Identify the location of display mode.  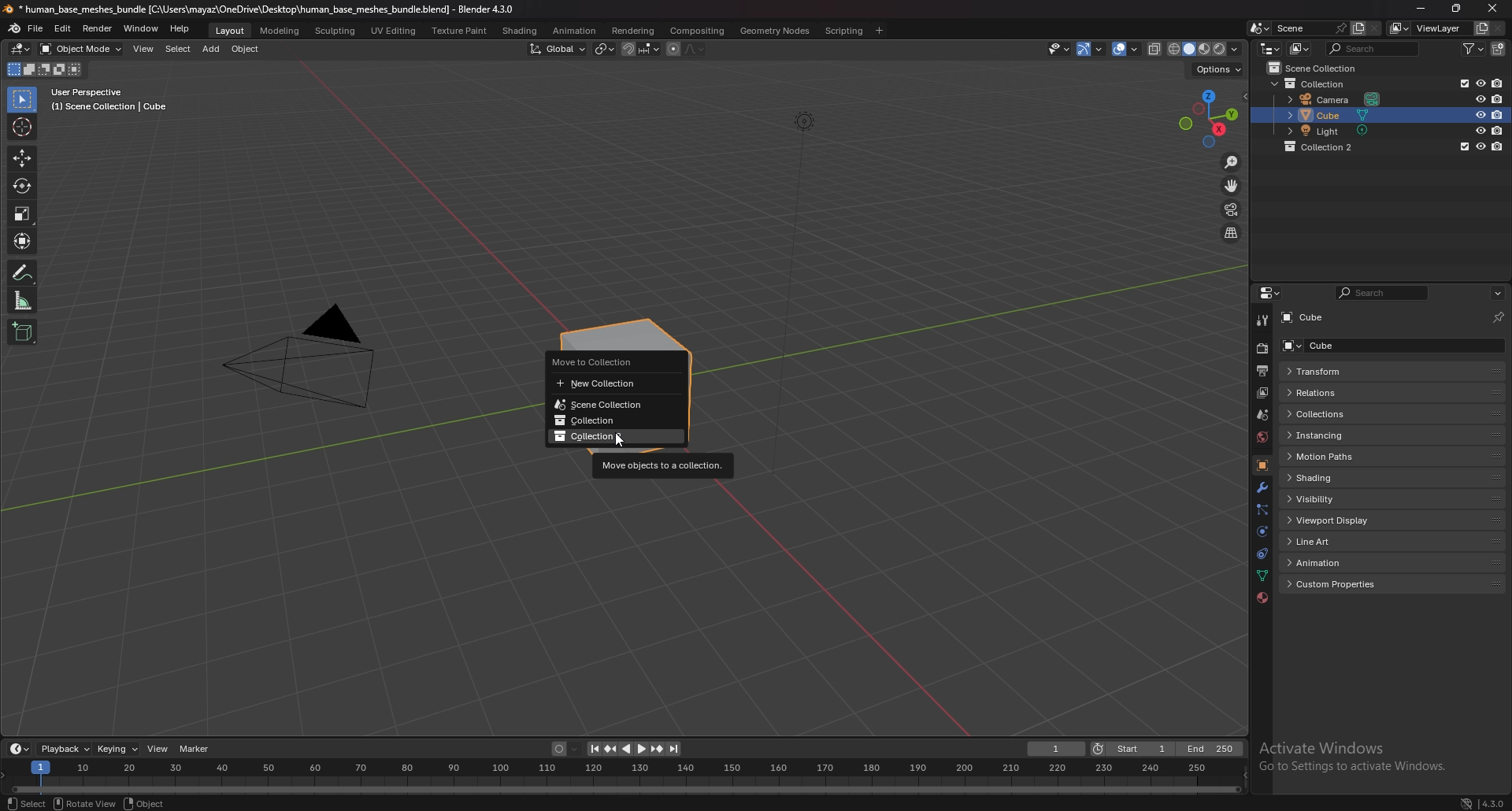
(1302, 48).